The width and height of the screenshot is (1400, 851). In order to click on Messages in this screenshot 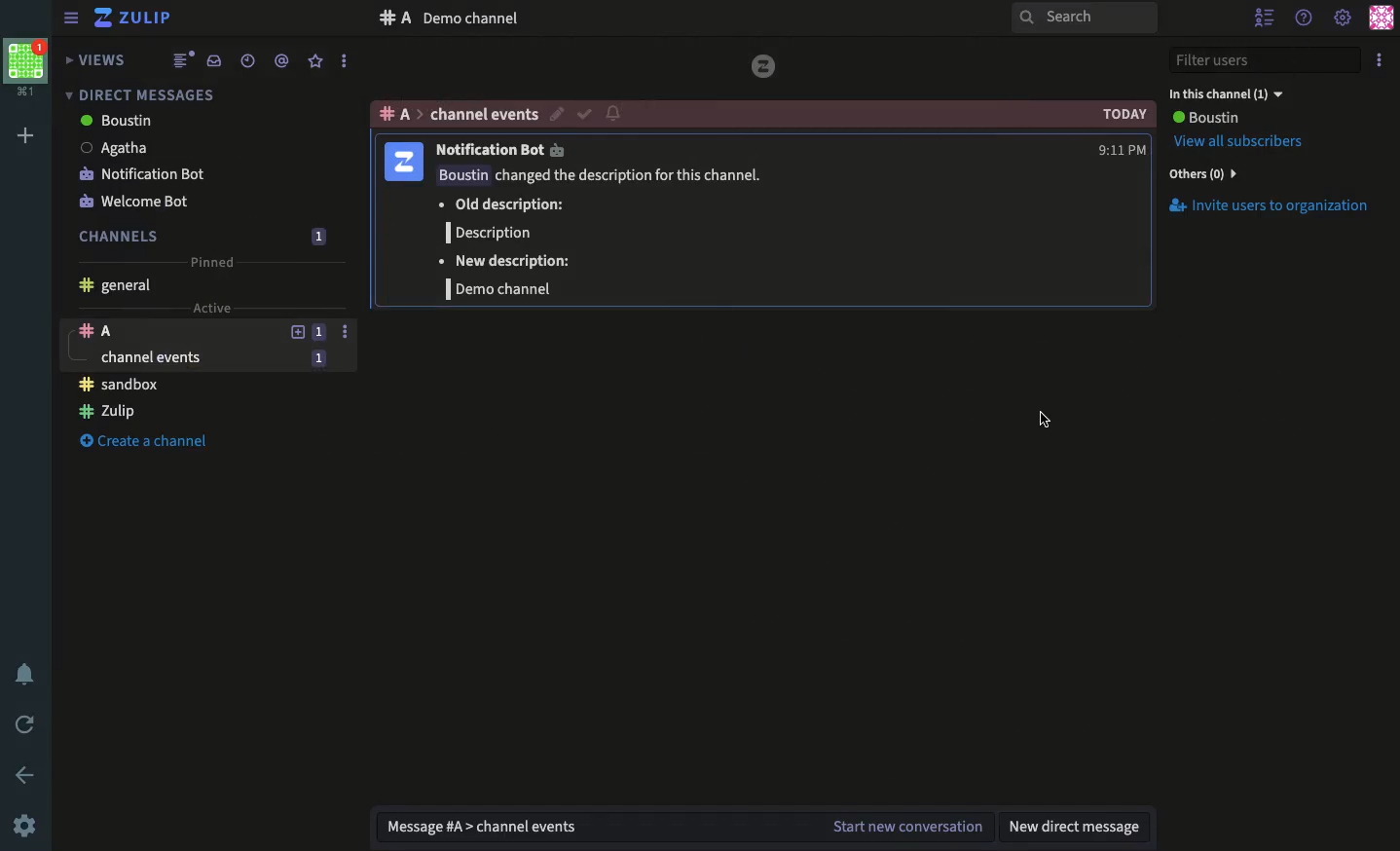, I will do `click(594, 828)`.